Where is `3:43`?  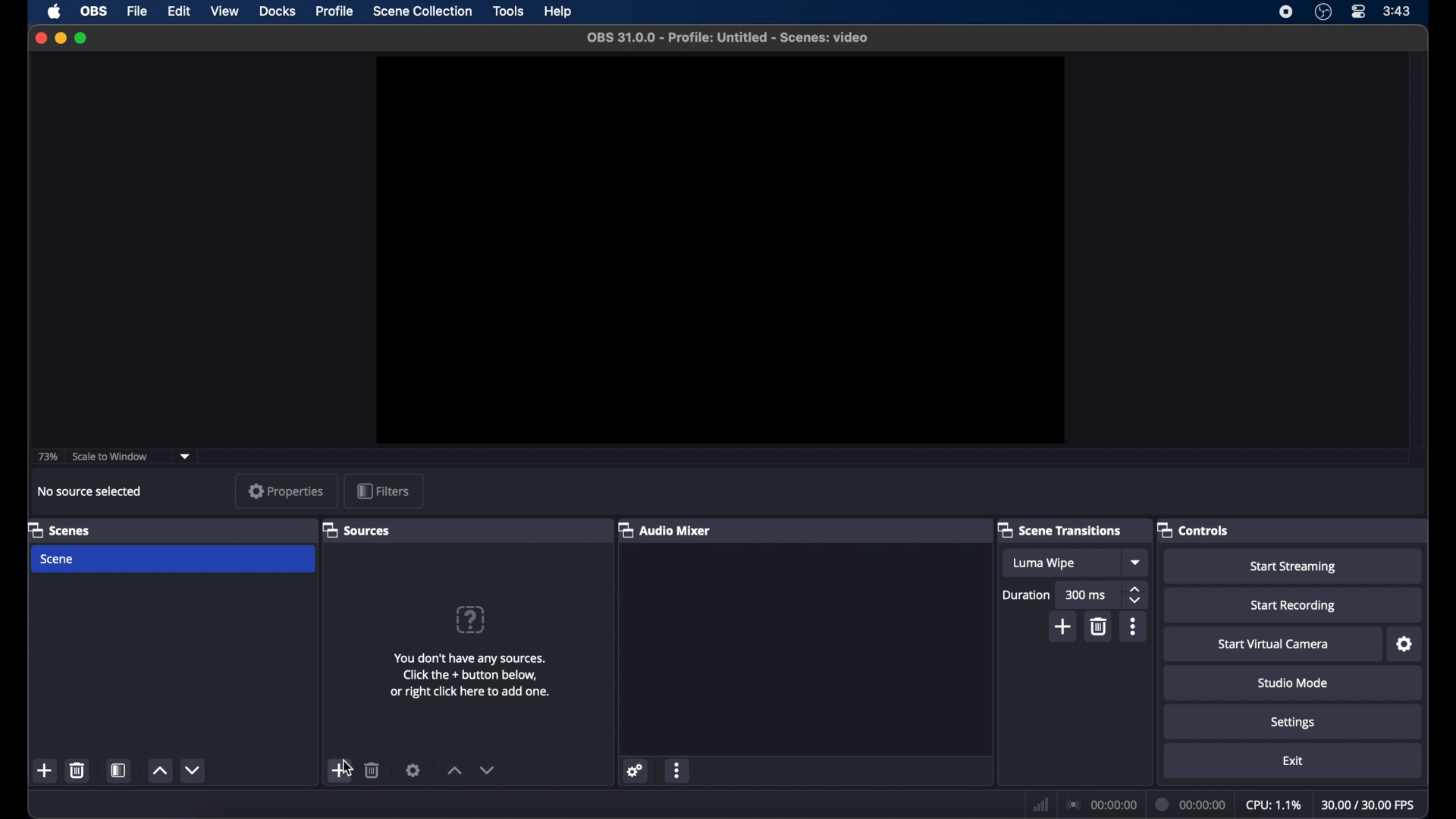 3:43 is located at coordinates (1398, 11).